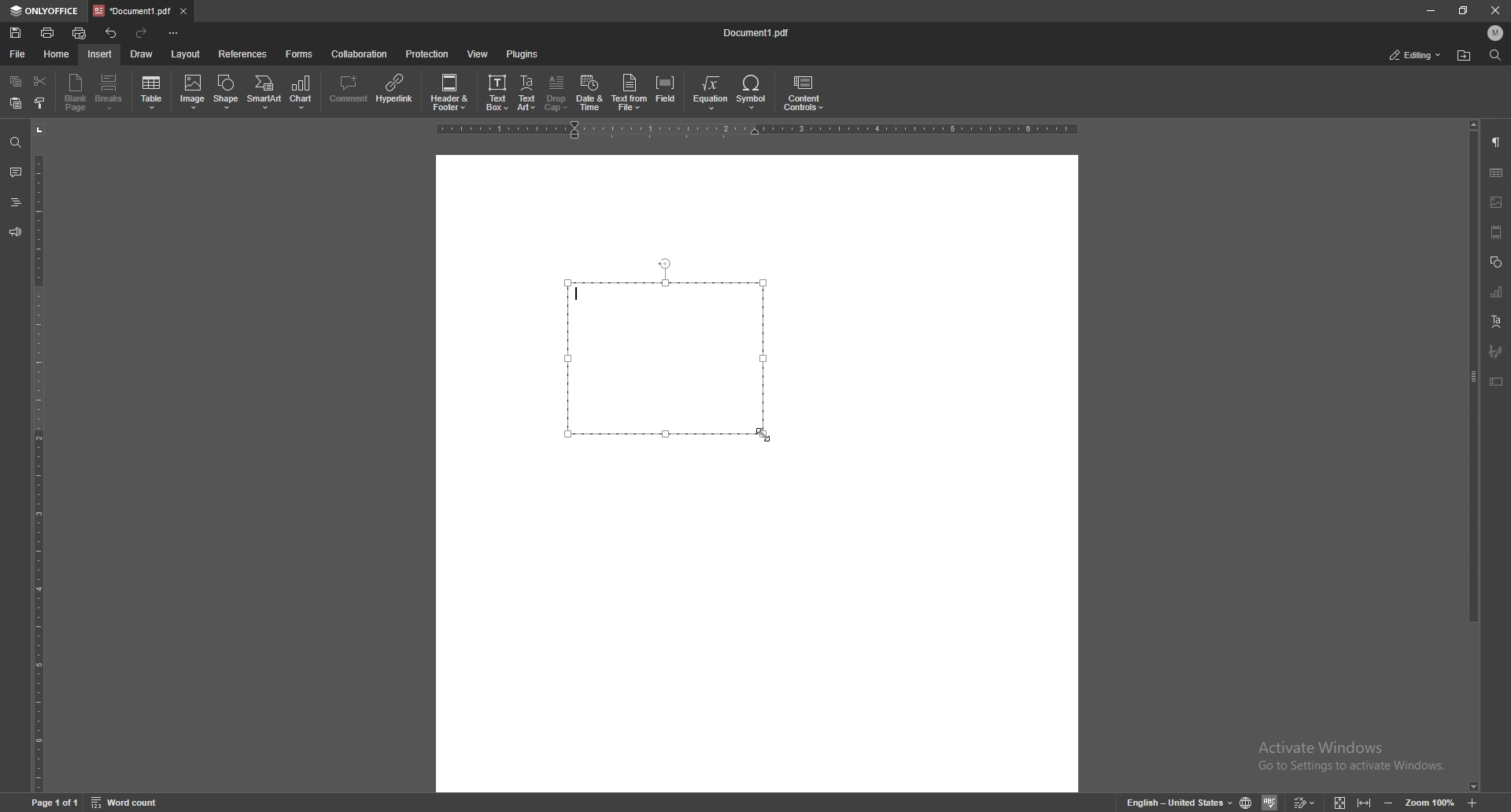 The width and height of the screenshot is (1511, 812). Describe the element at coordinates (1269, 802) in the screenshot. I see `spell check` at that location.